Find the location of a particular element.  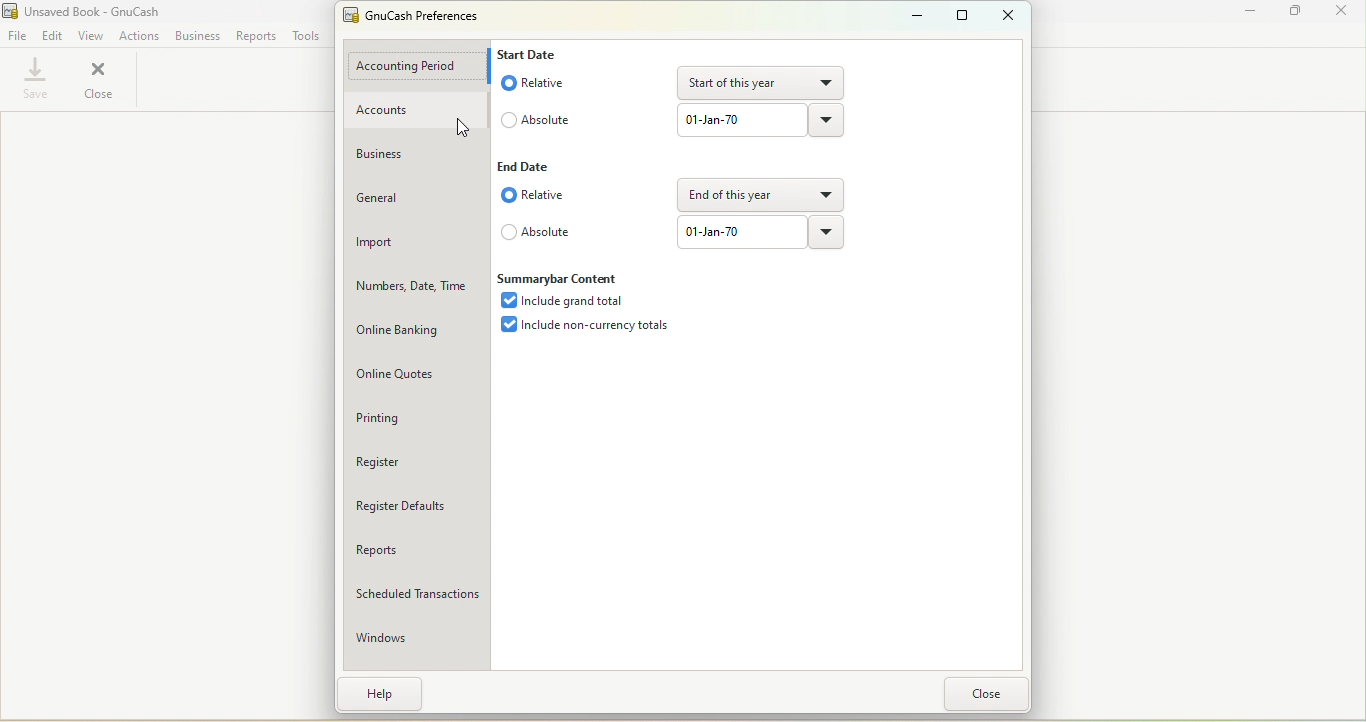

Relative is located at coordinates (539, 81).